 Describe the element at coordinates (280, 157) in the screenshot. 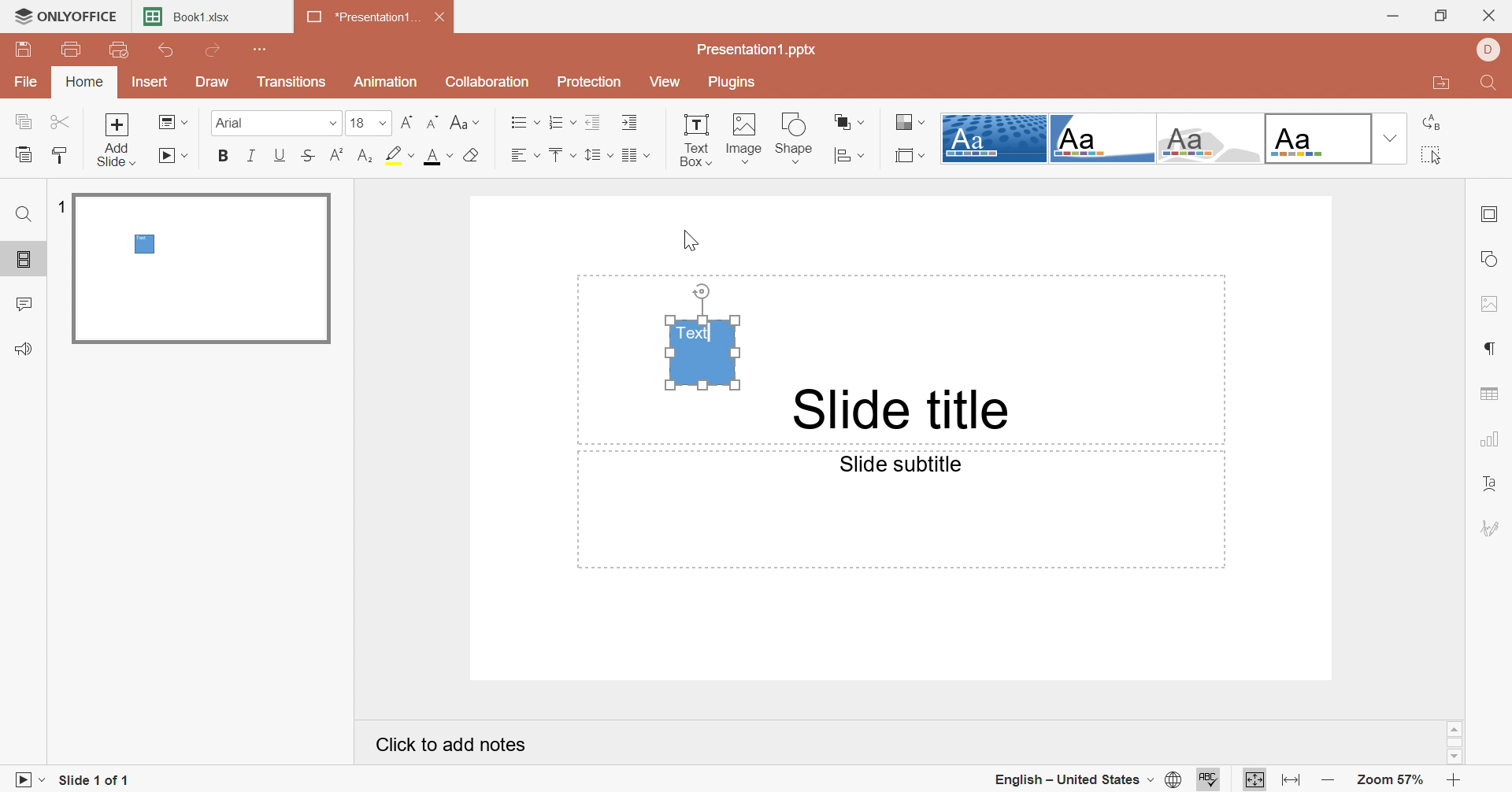

I see `Underline` at that location.